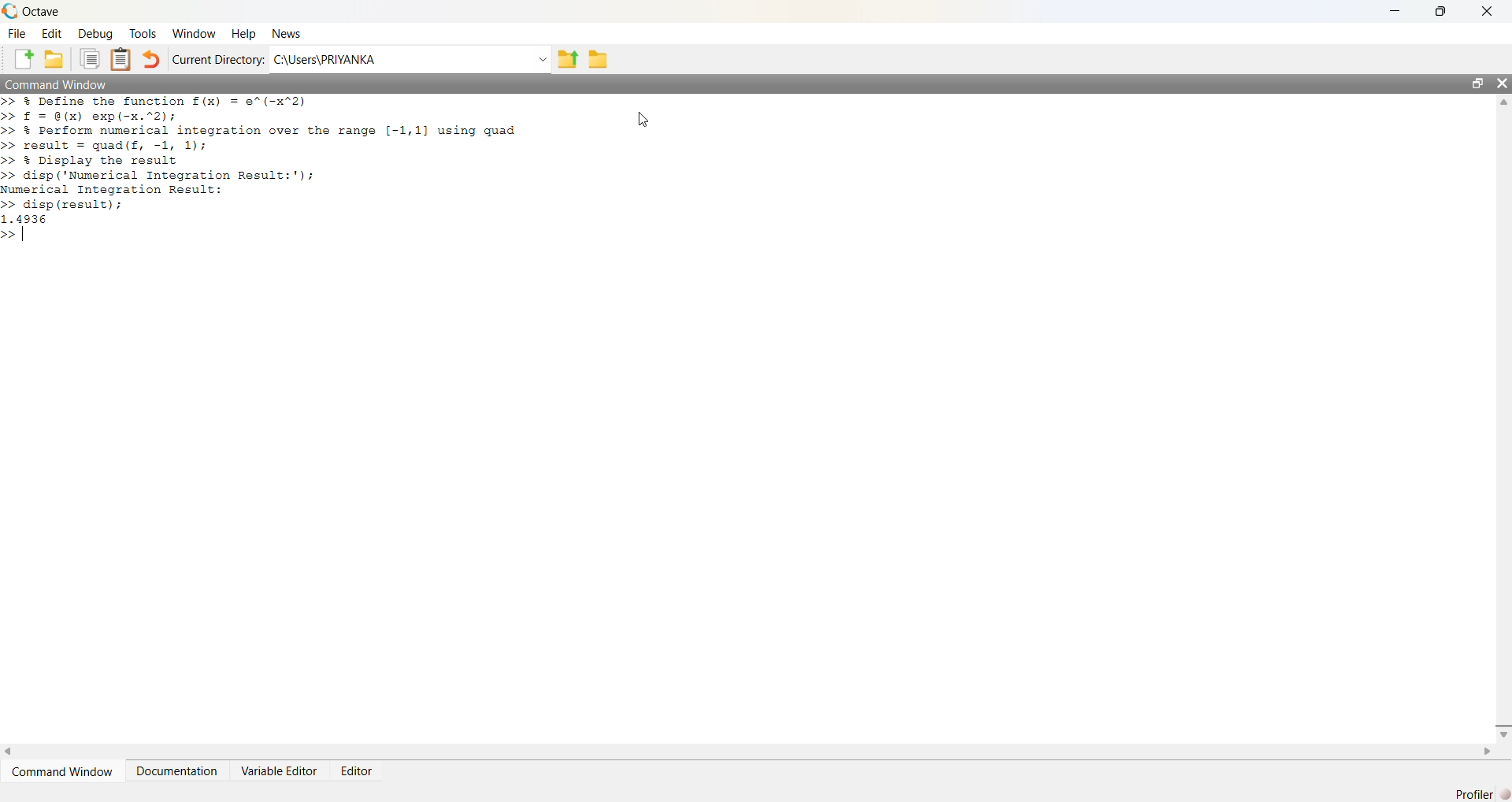 This screenshot has height=802, width=1512. What do you see at coordinates (642, 120) in the screenshot?
I see `cursor` at bounding box center [642, 120].